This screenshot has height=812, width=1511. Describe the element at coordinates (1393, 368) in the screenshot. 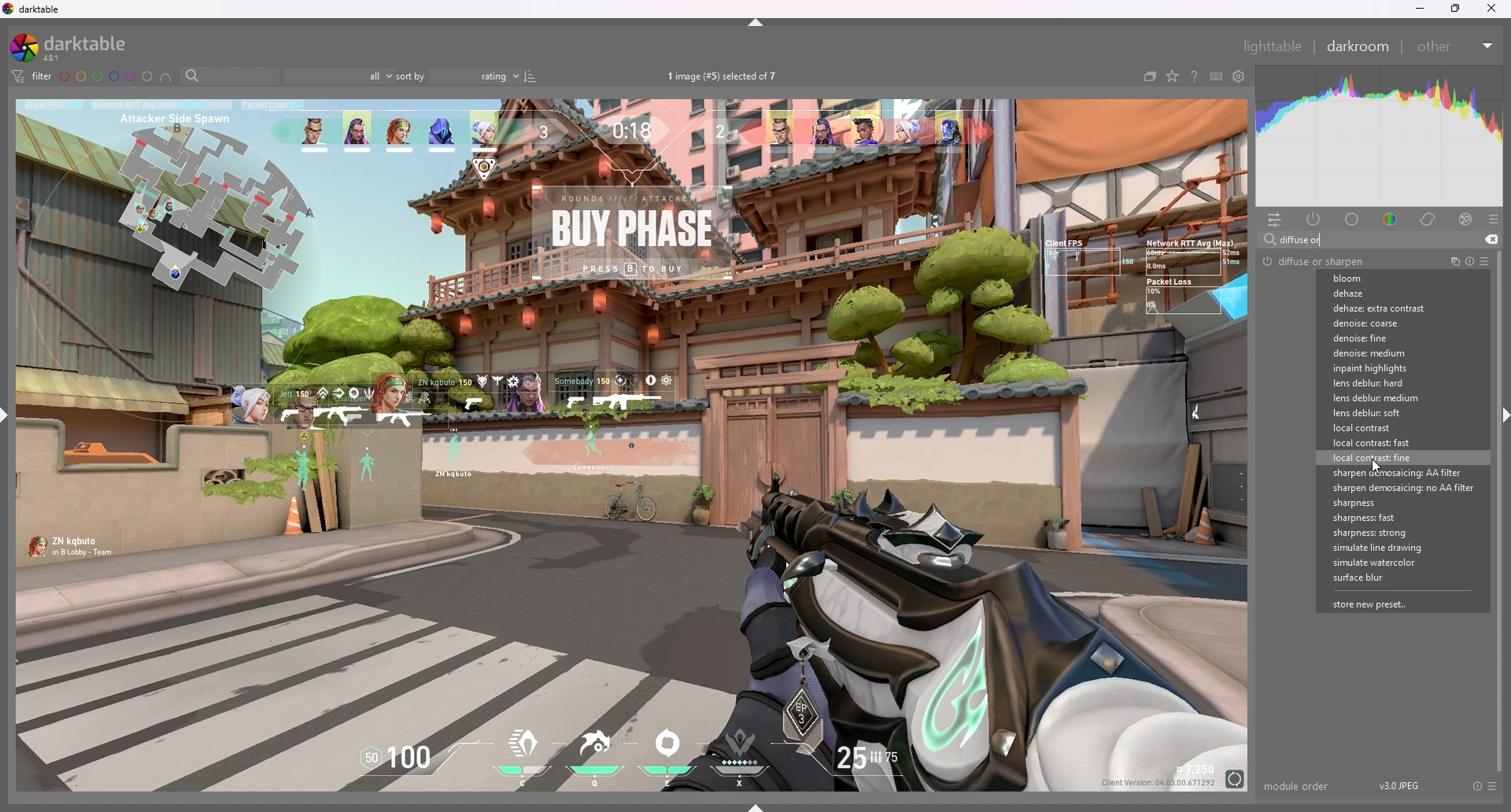

I see `inpaint highlights` at that location.